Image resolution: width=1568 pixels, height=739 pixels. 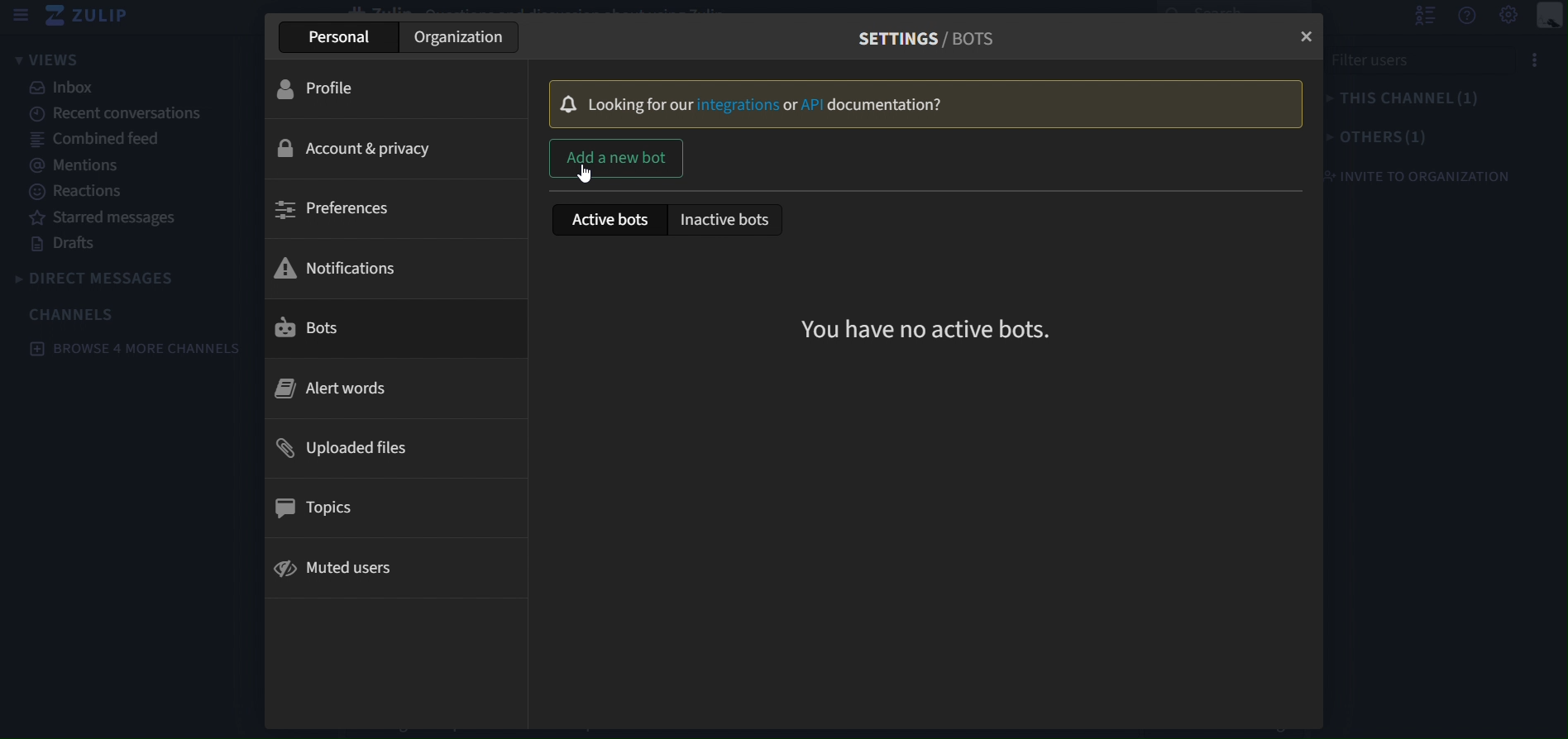 What do you see at coordinates (339, 37) in the screenshot?
I see `personal` at bounding box center [339, 37].